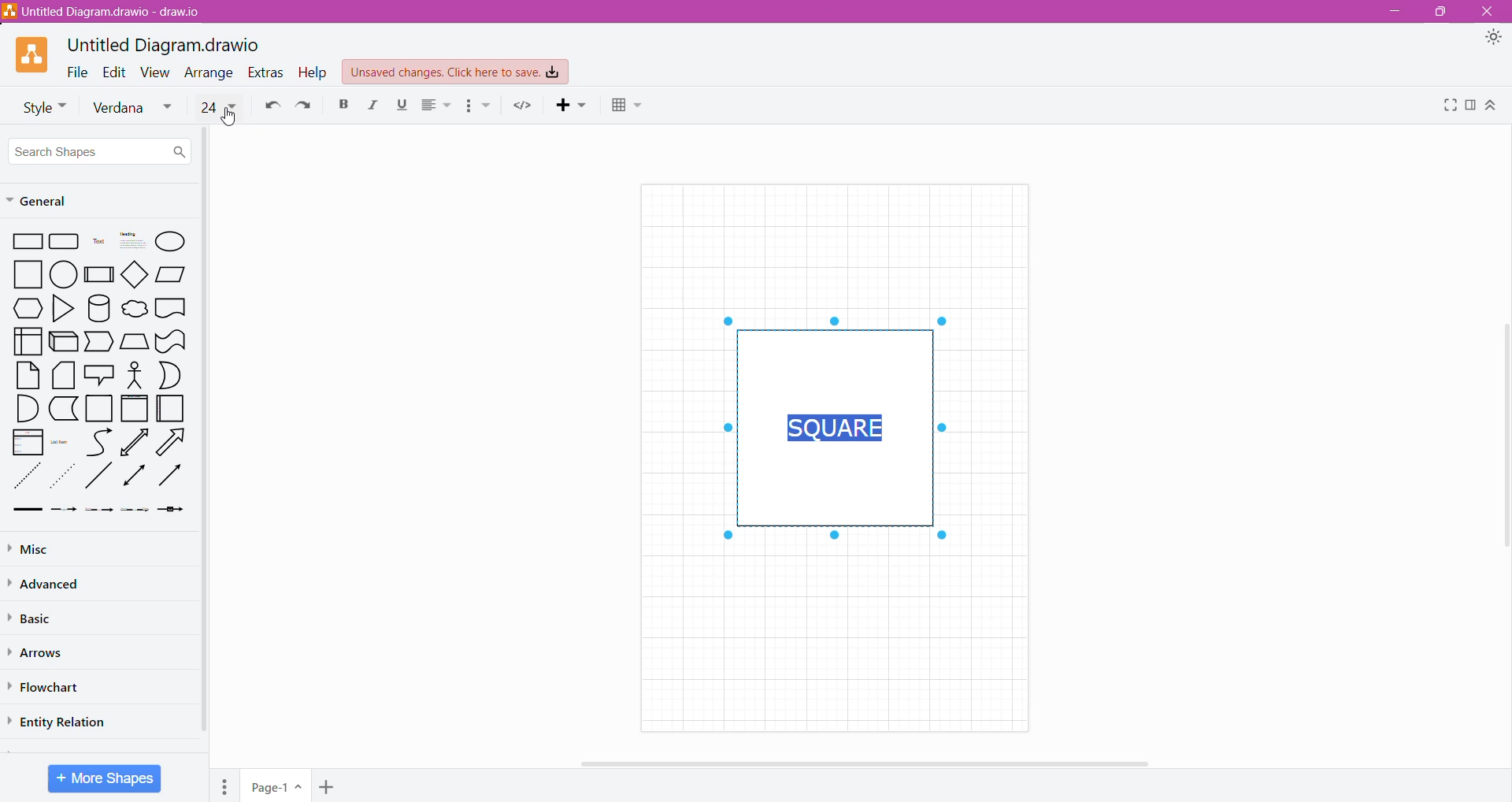 Image resolution: width=1512 pixels, height=802 pixels. What do you see at coordinates (40, 107) in the screenshot?
I see `Font Style` at bounding box center [40, 107].